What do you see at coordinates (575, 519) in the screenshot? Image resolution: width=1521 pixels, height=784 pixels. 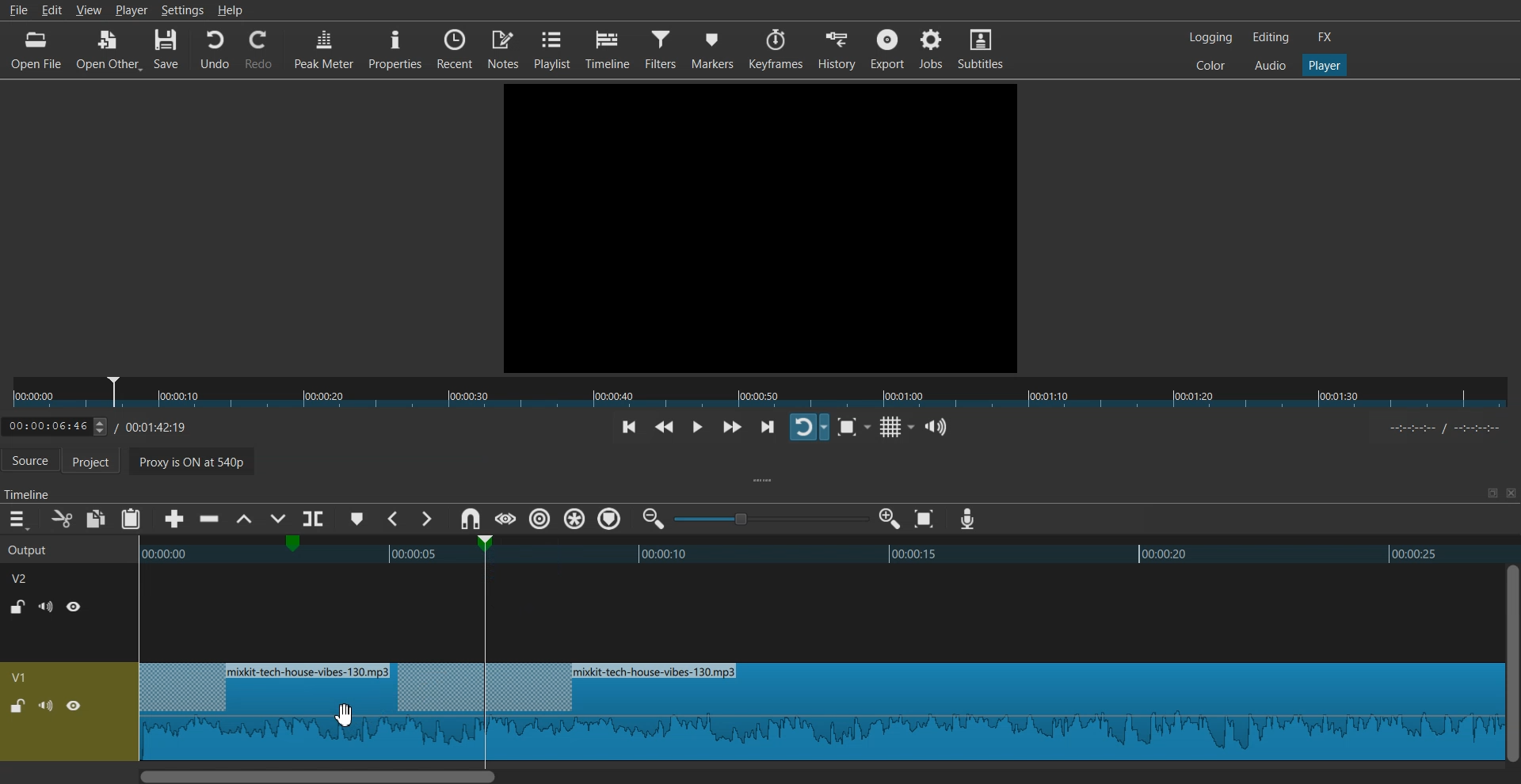 I see `Ripple all markers` at bounding box center [575, 519].